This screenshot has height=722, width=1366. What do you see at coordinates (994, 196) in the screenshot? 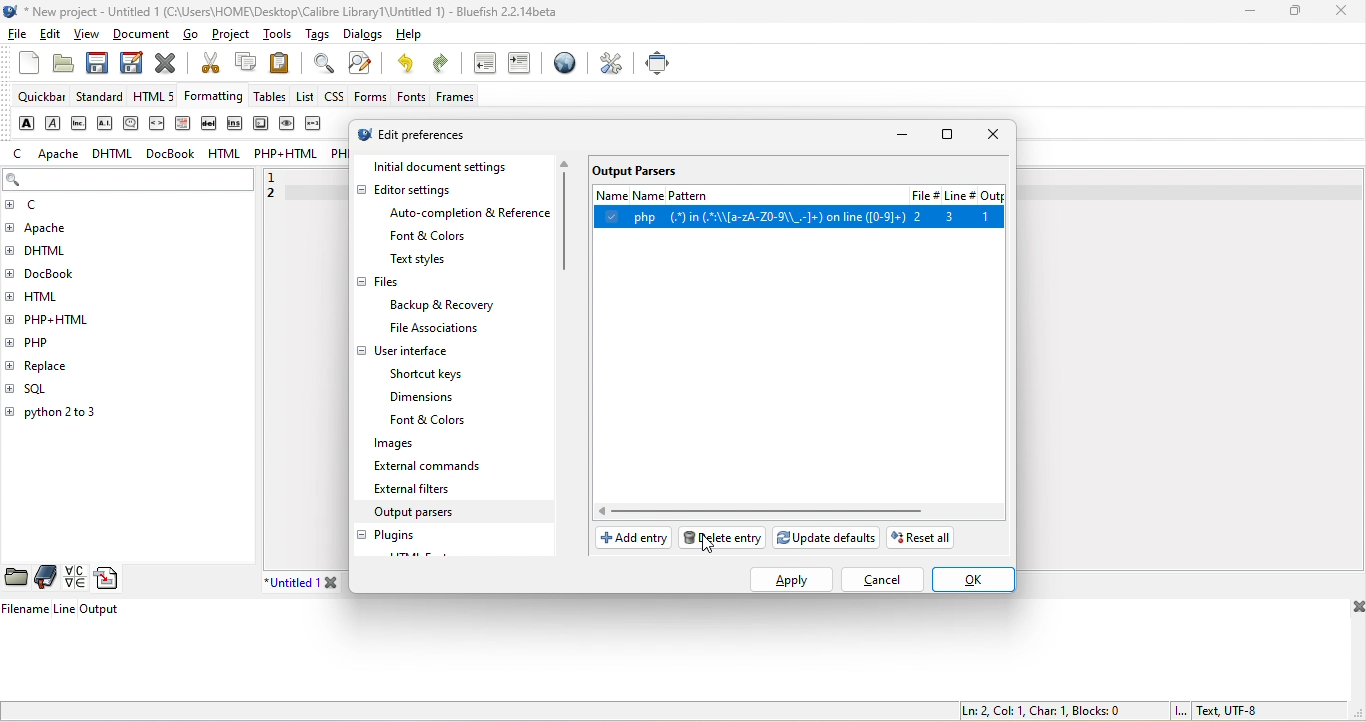
I see `output` at bounding box center [994, 196].